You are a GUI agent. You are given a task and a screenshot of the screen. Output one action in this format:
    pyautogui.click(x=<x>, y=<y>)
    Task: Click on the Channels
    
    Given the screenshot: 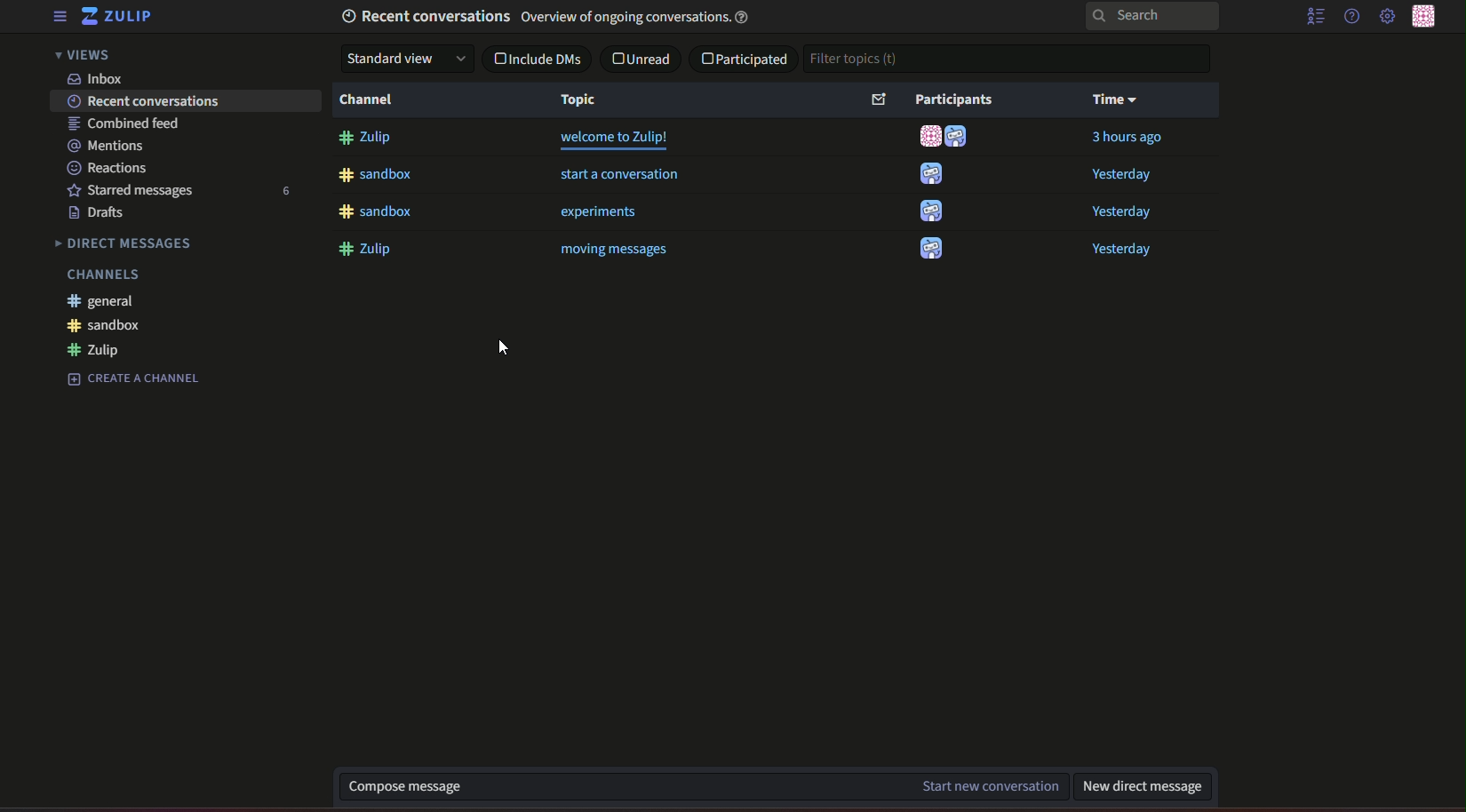 What is the action you would take?
    pyautogui.click(x=101, y=275)
    